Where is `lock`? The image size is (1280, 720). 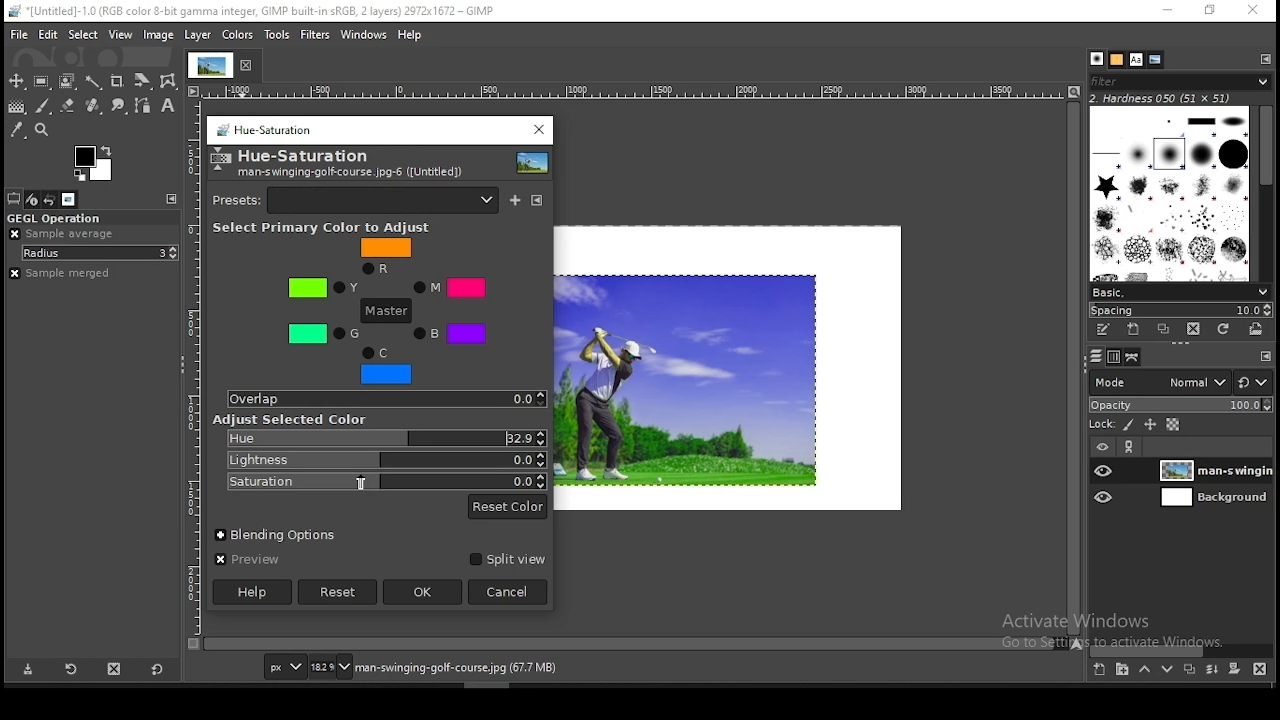 lock is located at coordinates (1103, 425).